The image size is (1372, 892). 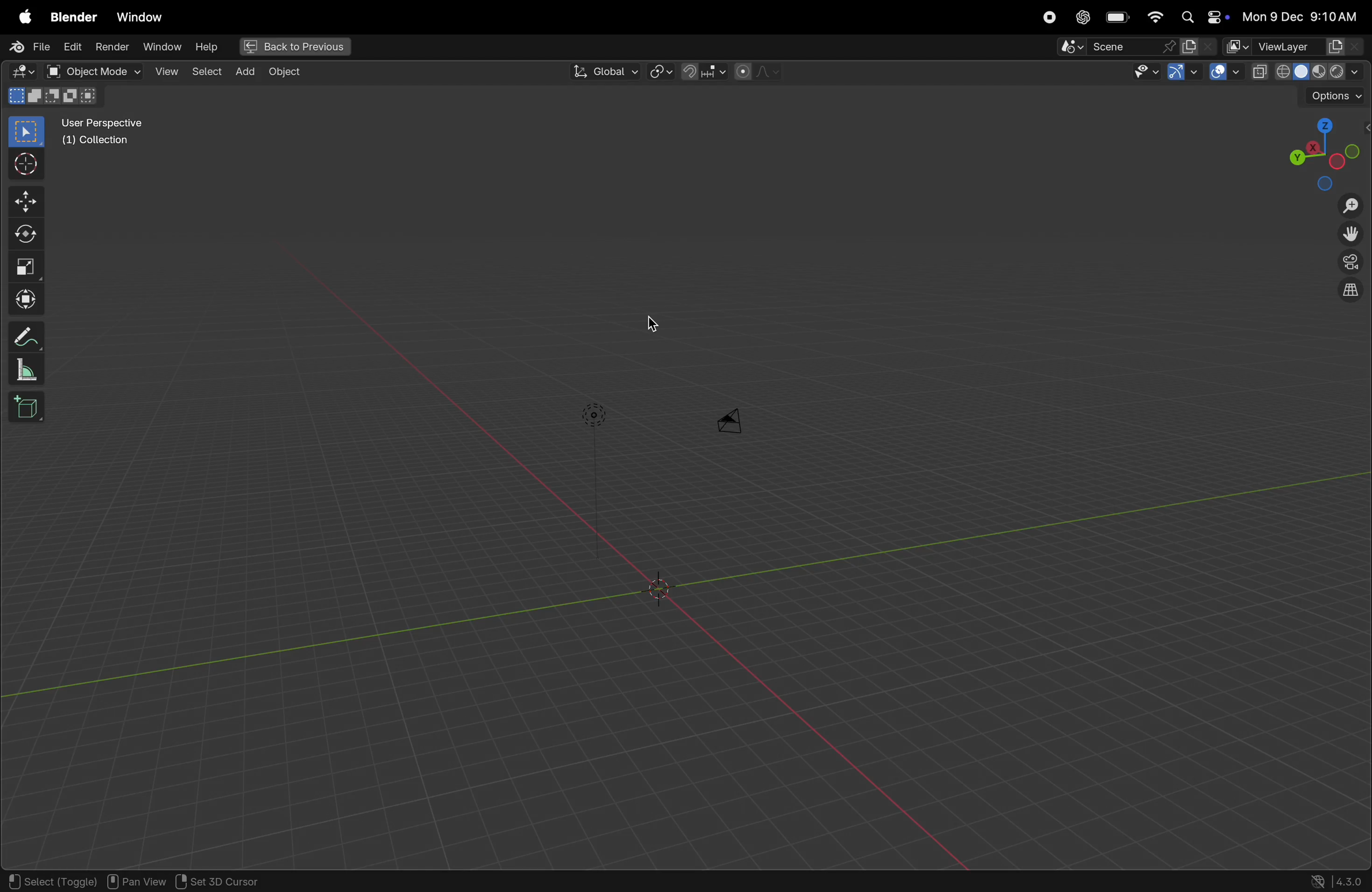 I want to click on back to previous, so click(x=293, y=48).